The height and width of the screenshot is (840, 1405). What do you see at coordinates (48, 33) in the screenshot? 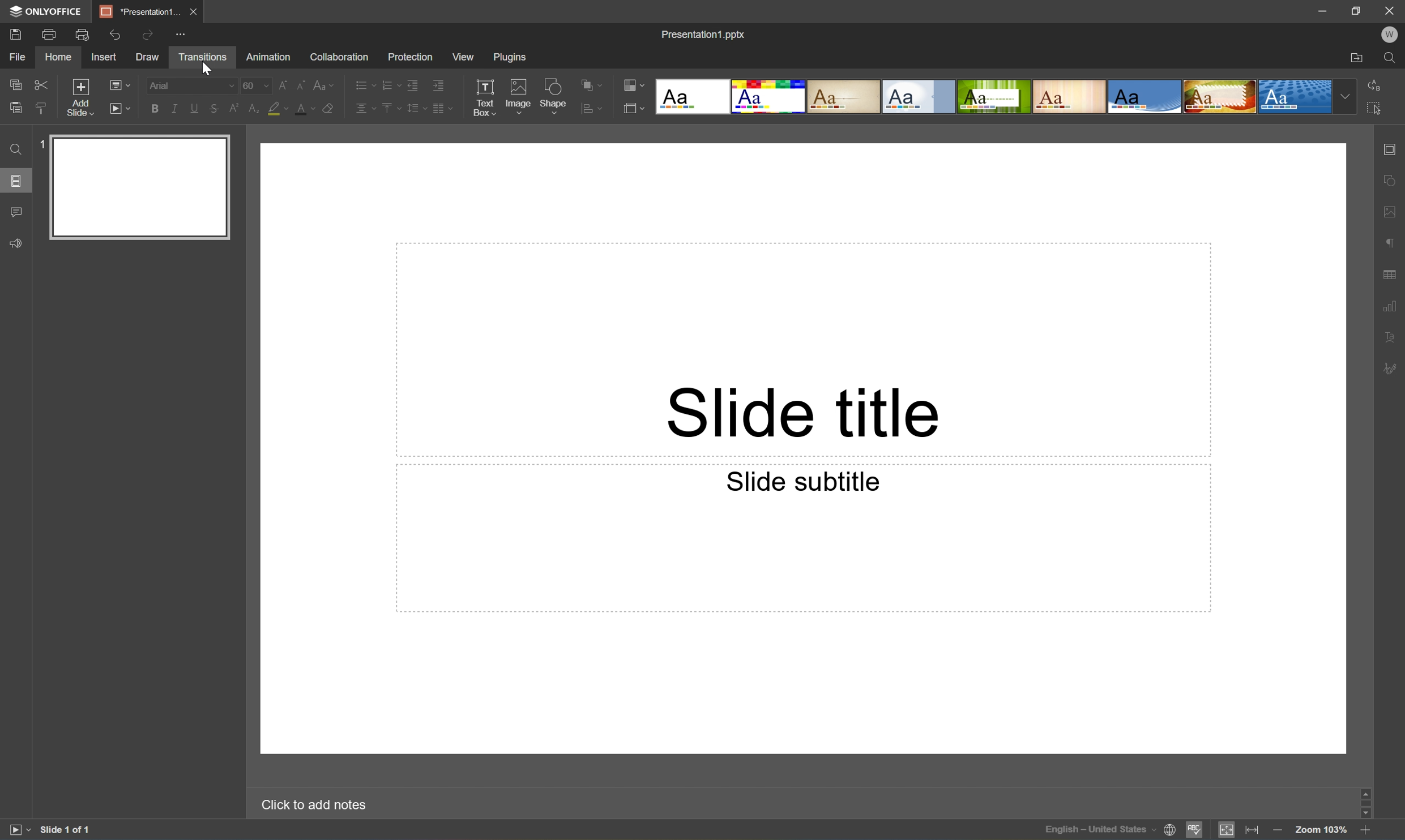
I see `Print file` at bounding box center [48, 33].